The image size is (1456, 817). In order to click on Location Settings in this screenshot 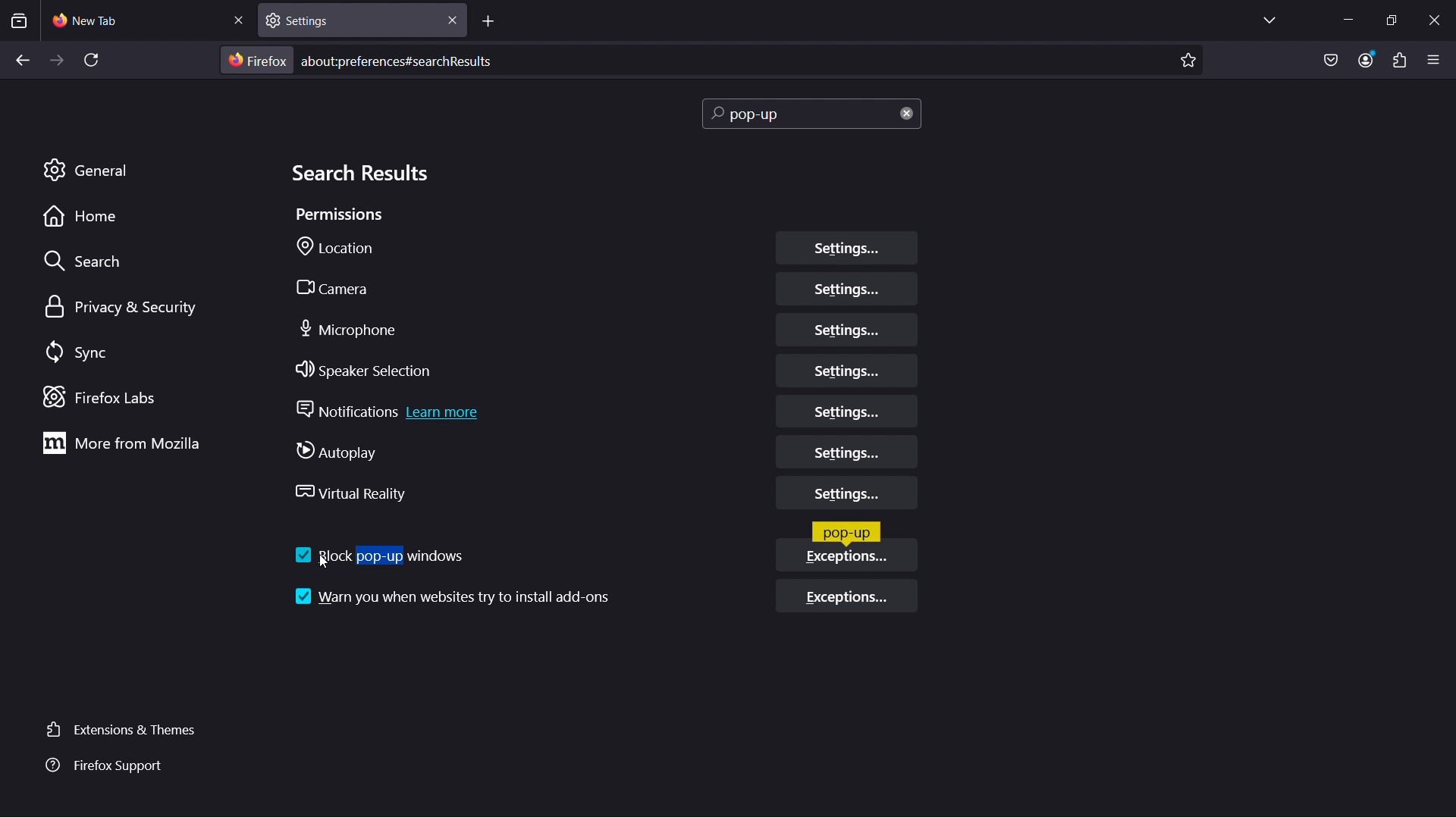, I will do `click(846, 249)`.